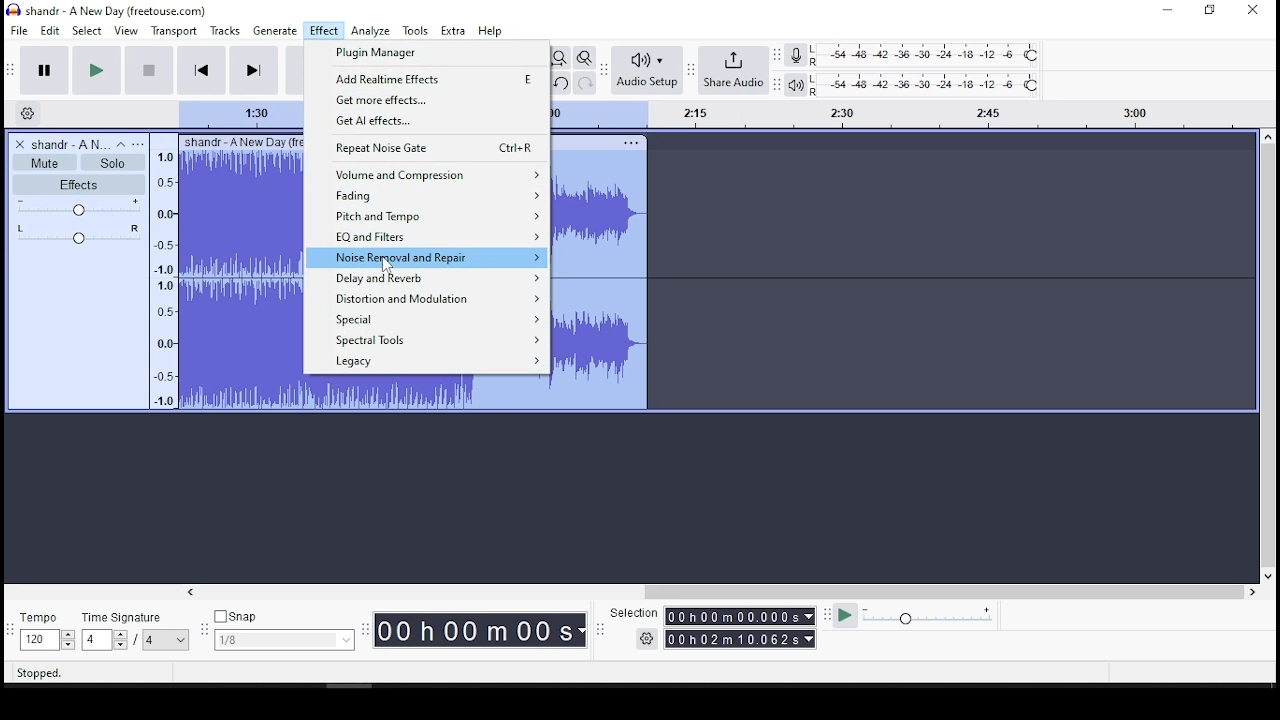  I want to click on audio track, so click(603, 271).